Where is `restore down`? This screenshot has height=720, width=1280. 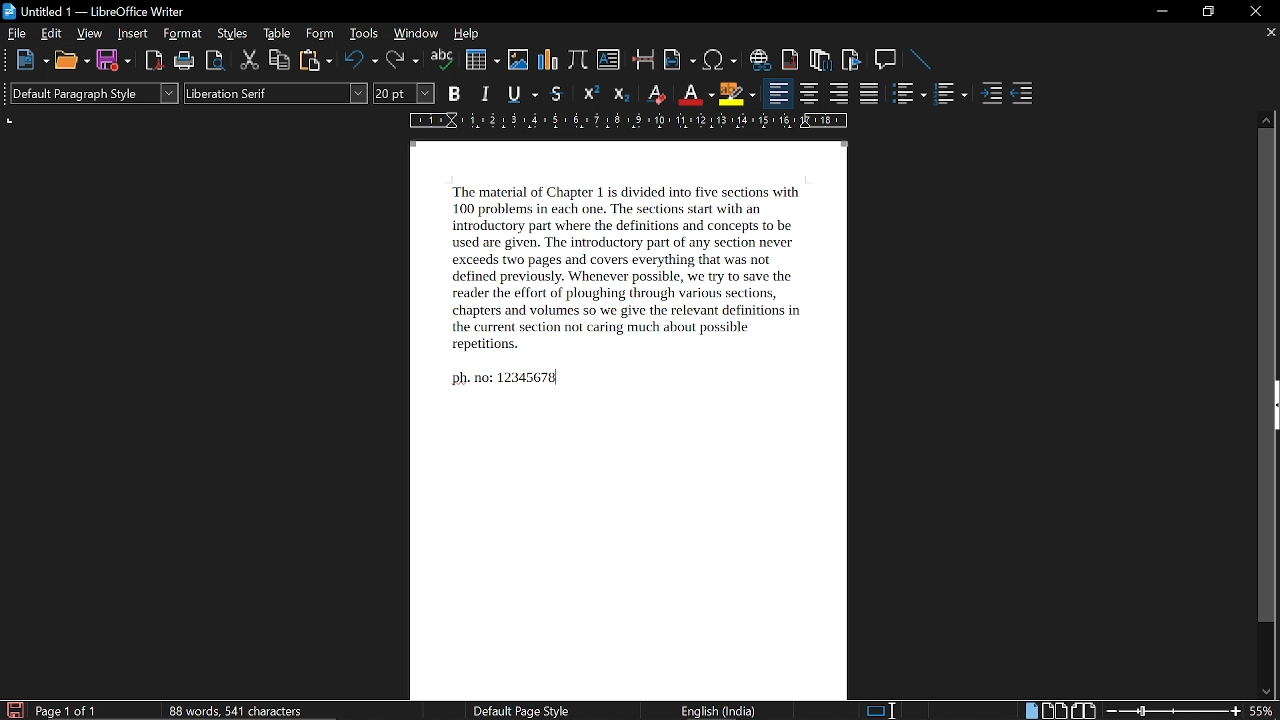
restore down is located at coordinates (1207, 12).